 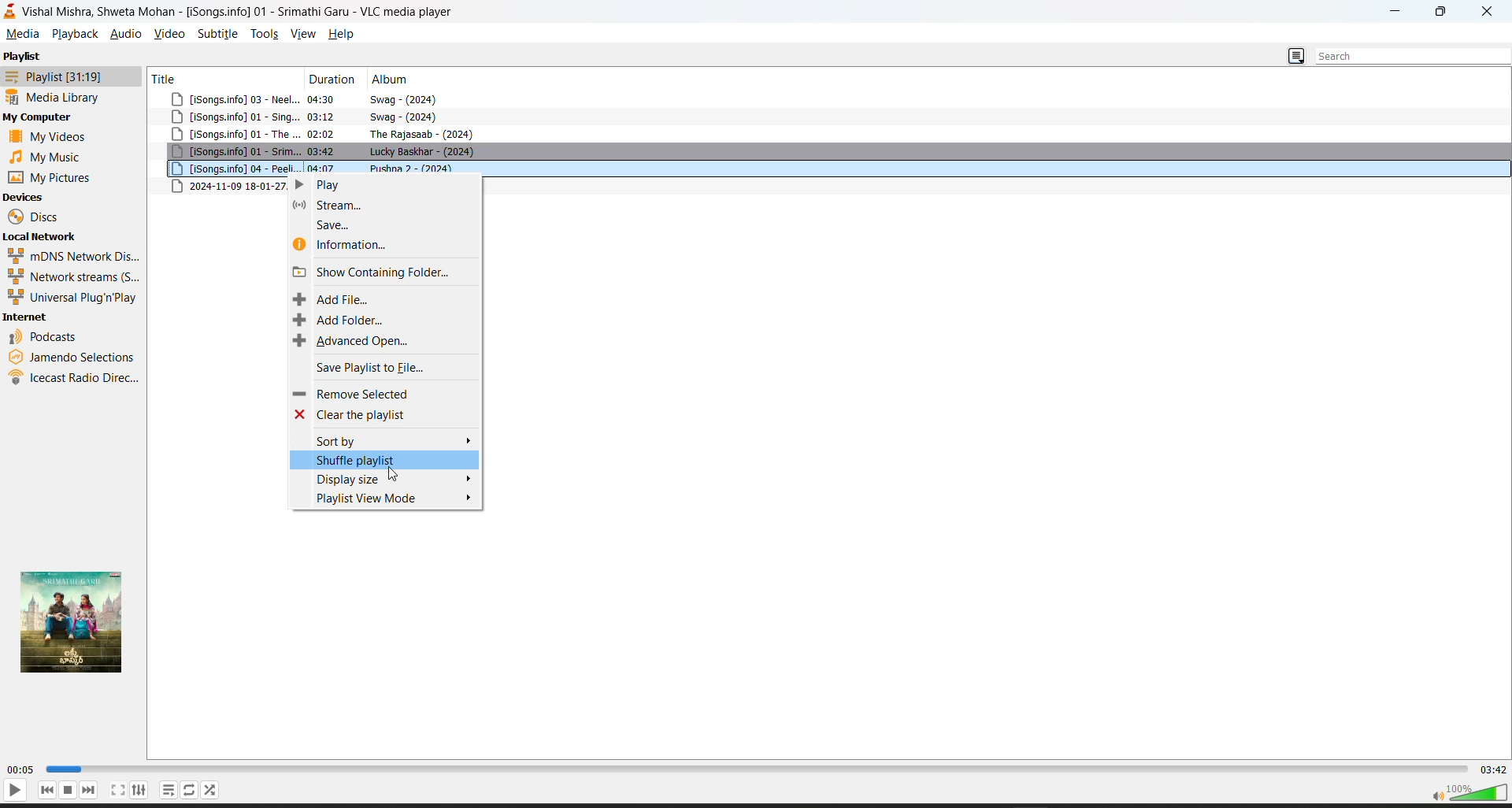 What do you see at coordinates (338, 321) in the screenshot?
I see `add folder` at bounding box center [338, 321].